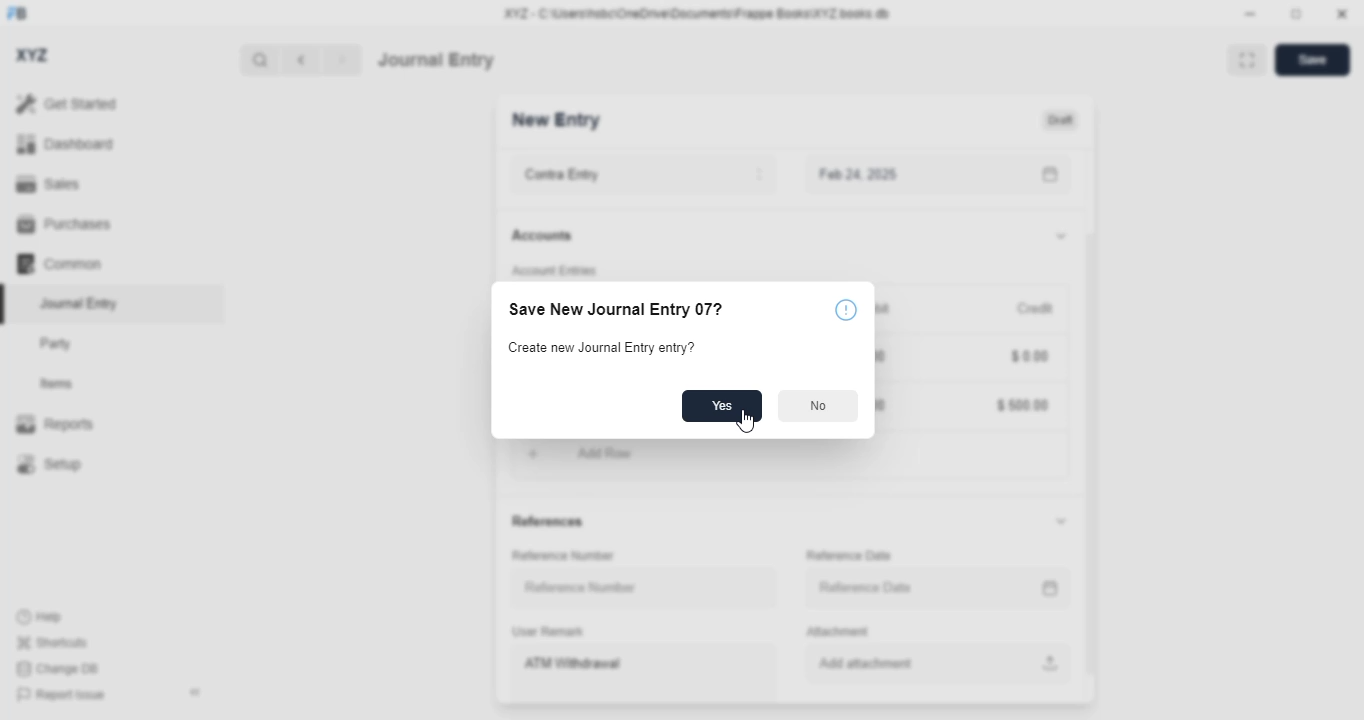 The height and width of the screenshot is (720, 1364). Describe the element at coordinates (616, 309) in the screenshot. I see `save new journal entry 07?` at that location.